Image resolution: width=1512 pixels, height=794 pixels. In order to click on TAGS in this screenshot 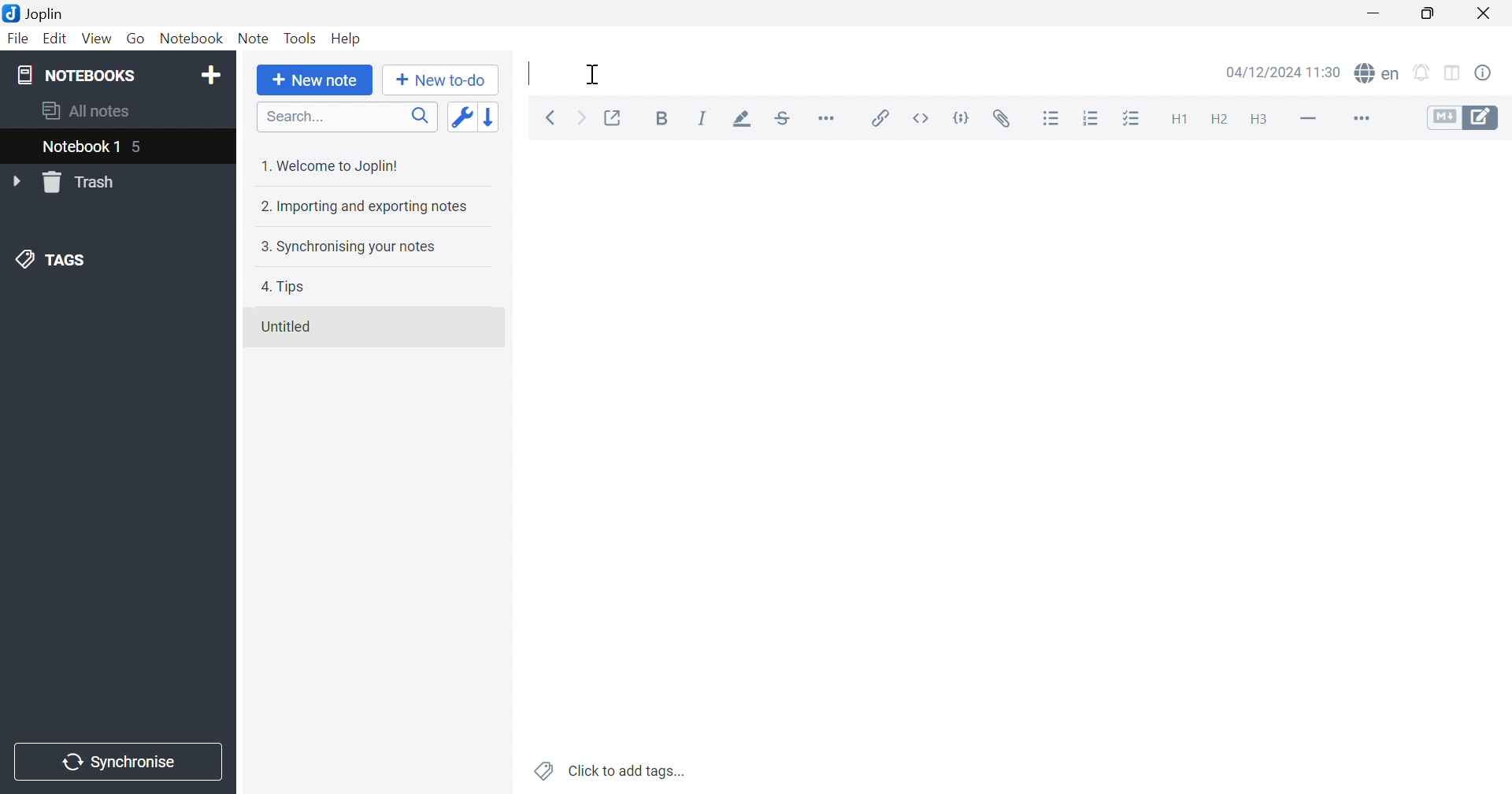, I will do `click(46, 258)`.